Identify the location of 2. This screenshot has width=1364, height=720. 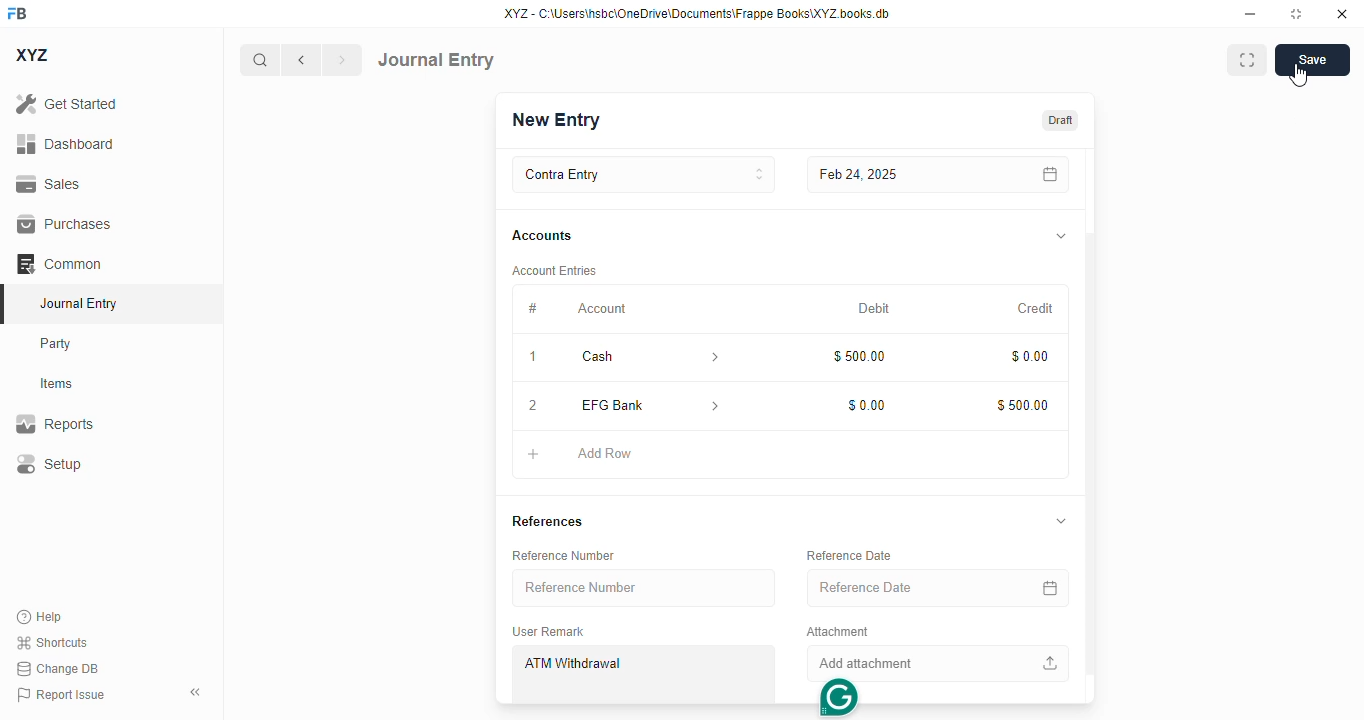
(533, 406).